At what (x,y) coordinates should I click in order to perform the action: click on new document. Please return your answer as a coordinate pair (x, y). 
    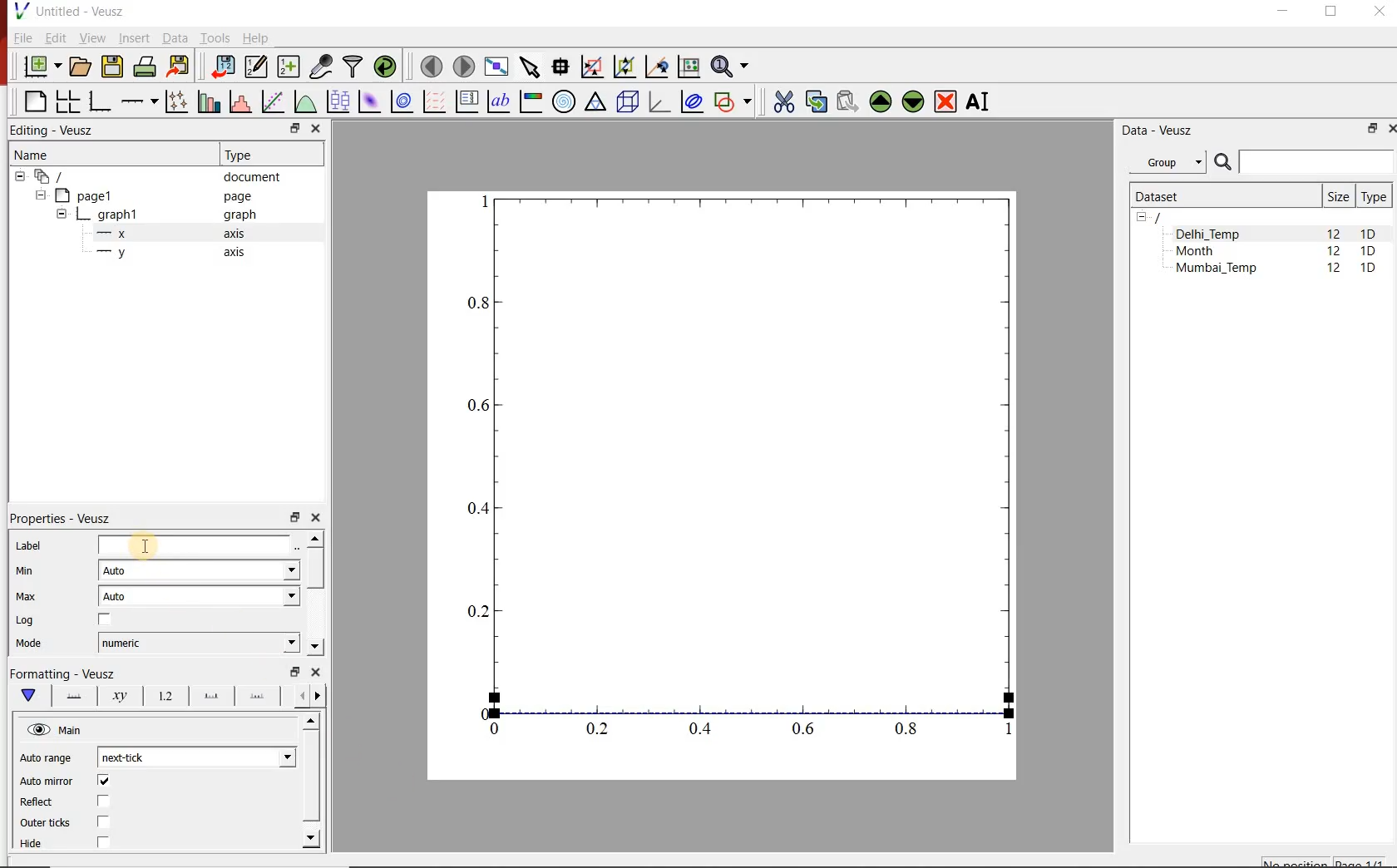
    Looking at the image, I should click on (41, 67).